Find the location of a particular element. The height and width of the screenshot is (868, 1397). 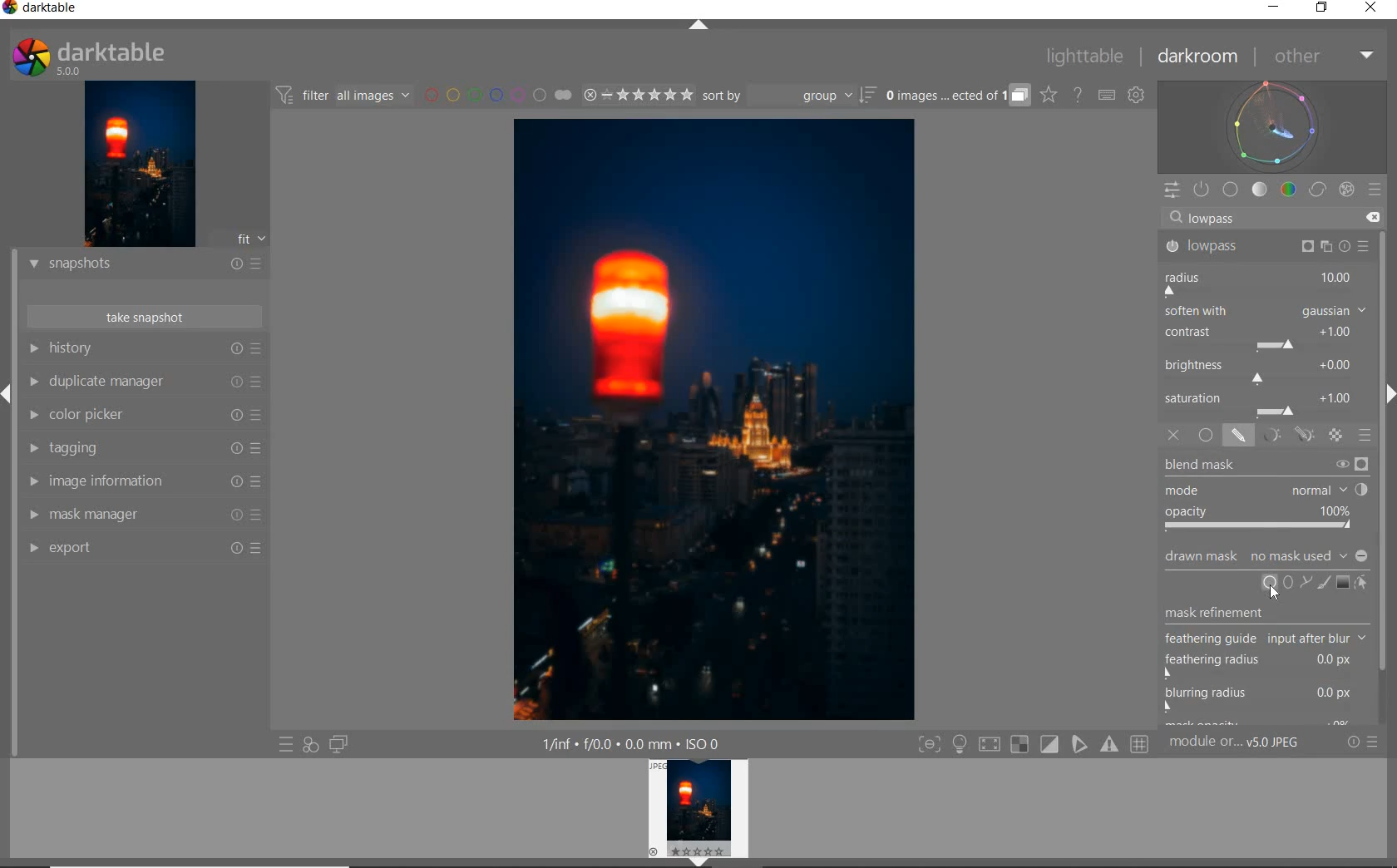

BLENDING OPTIONS is located at coordinates (1366, 436).